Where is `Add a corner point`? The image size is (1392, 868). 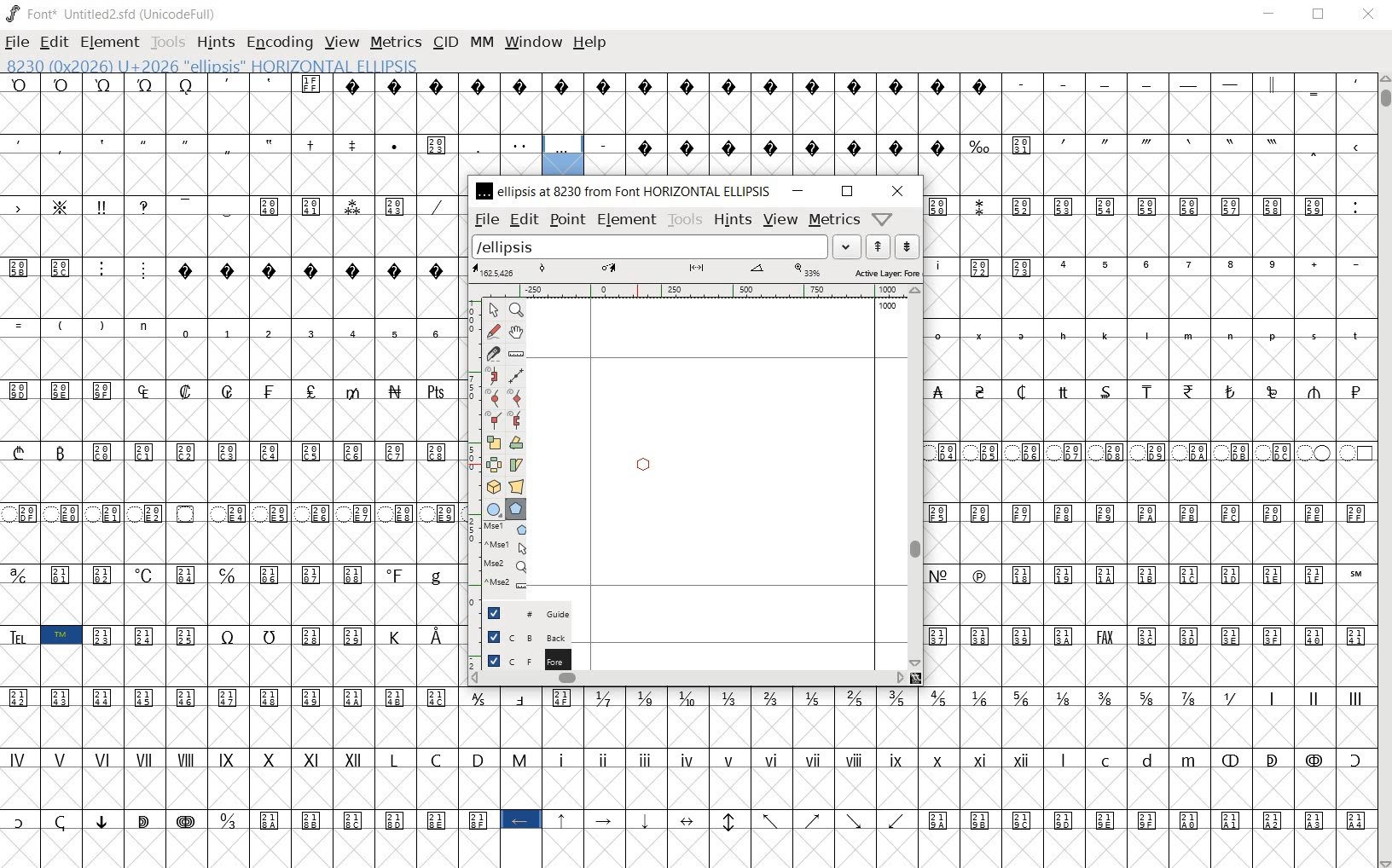
Add a corner point is located at coordinates (492, 420).